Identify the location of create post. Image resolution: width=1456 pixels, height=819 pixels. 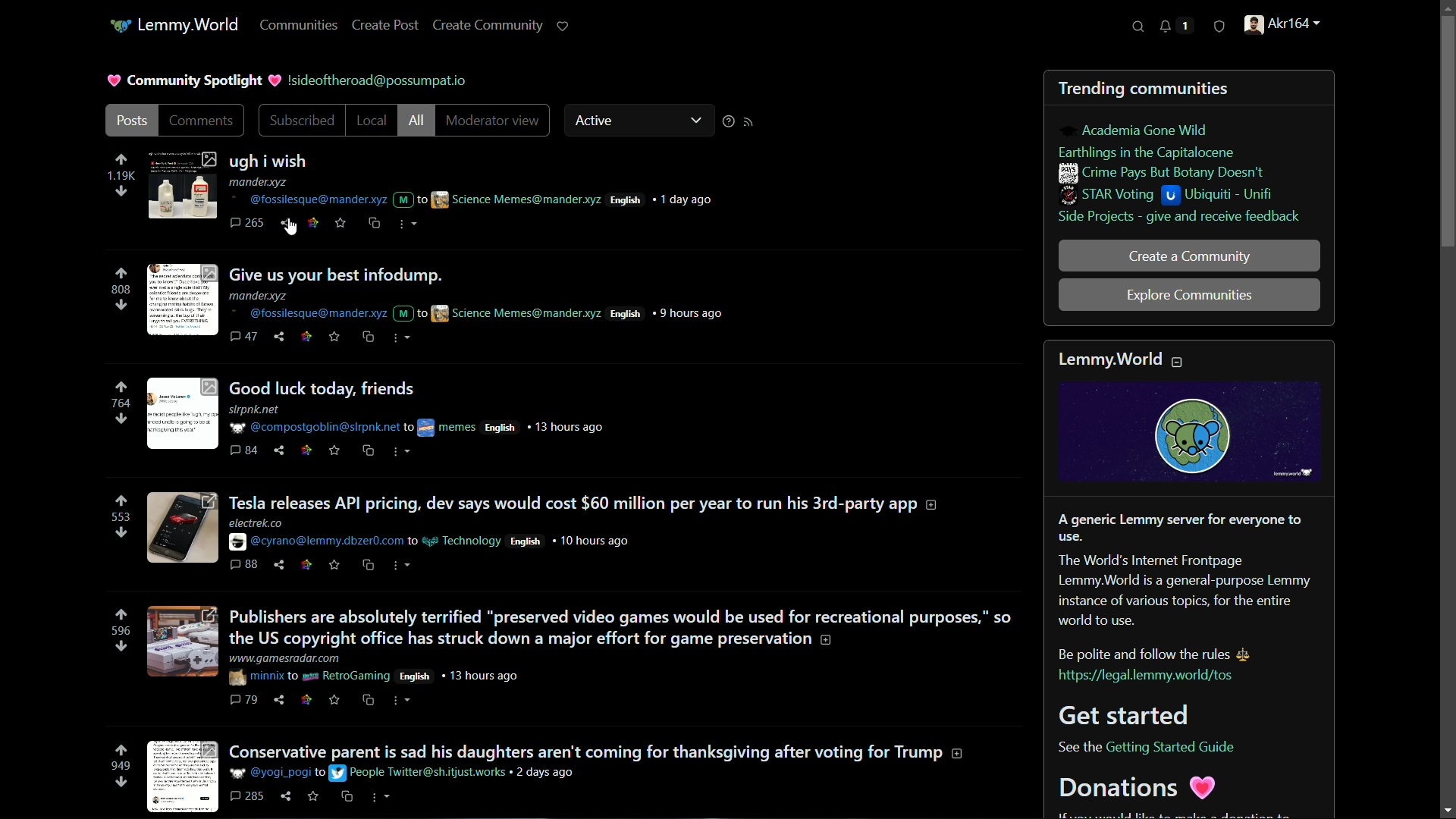
(388, 24).